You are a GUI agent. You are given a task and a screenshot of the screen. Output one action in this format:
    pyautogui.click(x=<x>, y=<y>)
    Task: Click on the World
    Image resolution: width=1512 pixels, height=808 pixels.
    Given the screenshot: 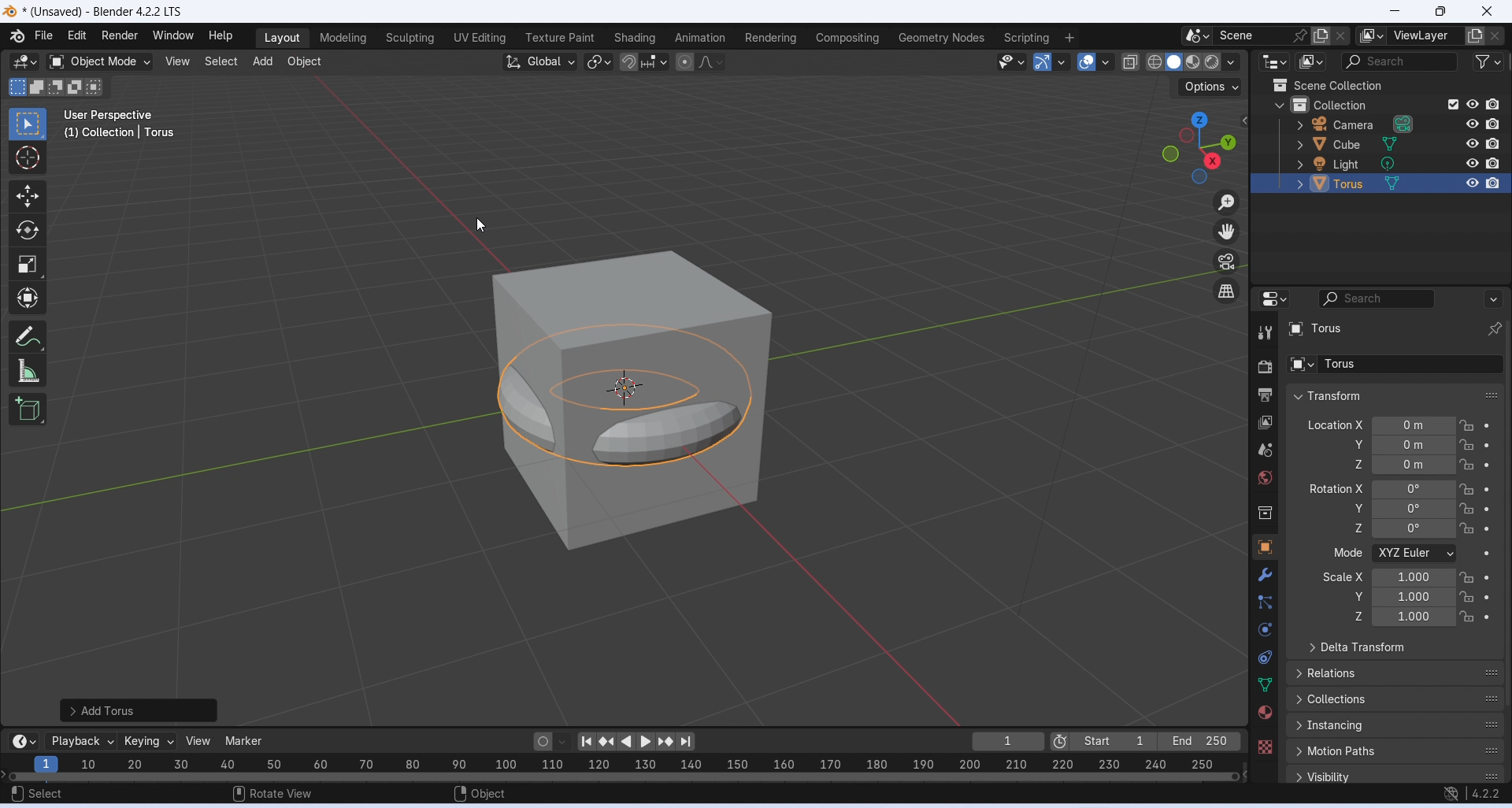 What is the action you would take?
    pyautogui.click(x=1264, y=477)
    